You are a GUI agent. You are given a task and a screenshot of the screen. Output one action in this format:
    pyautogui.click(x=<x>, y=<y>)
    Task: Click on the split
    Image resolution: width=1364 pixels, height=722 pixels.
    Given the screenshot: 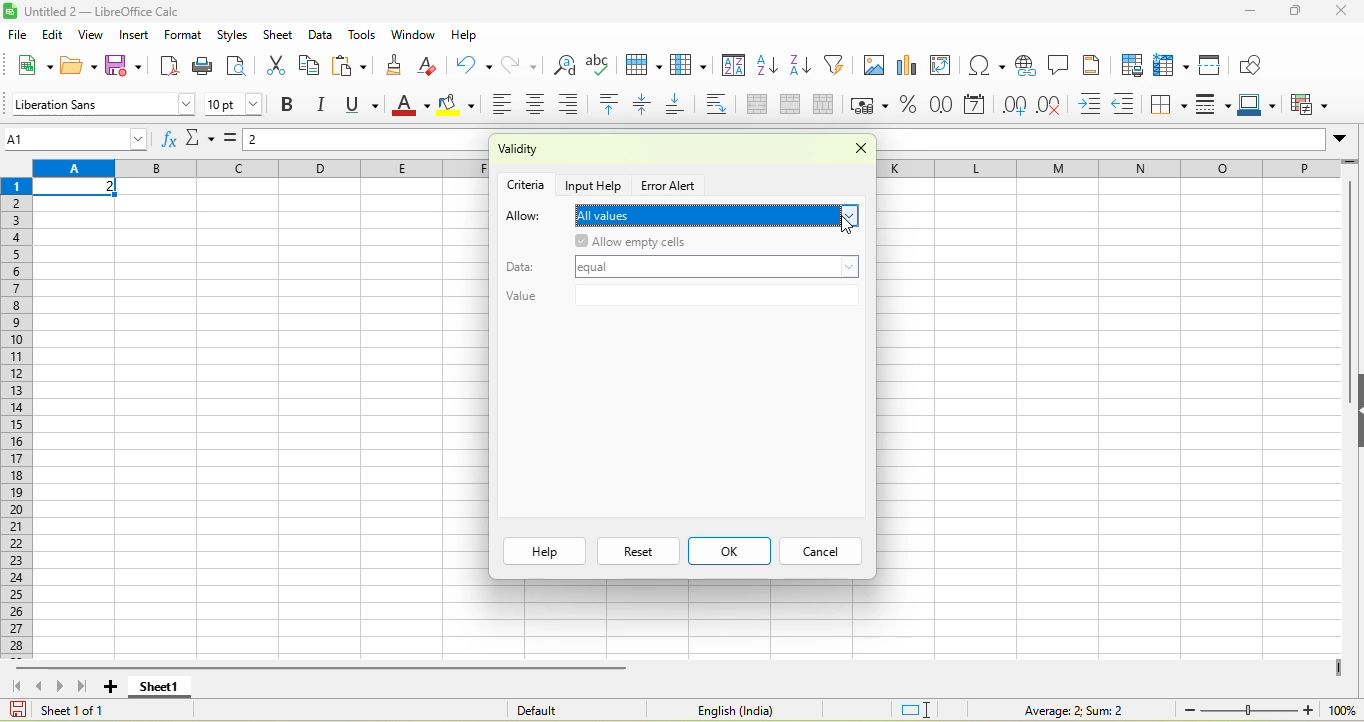 What is the action you would take?
    pyautogui.click(x=828, y=105)
    